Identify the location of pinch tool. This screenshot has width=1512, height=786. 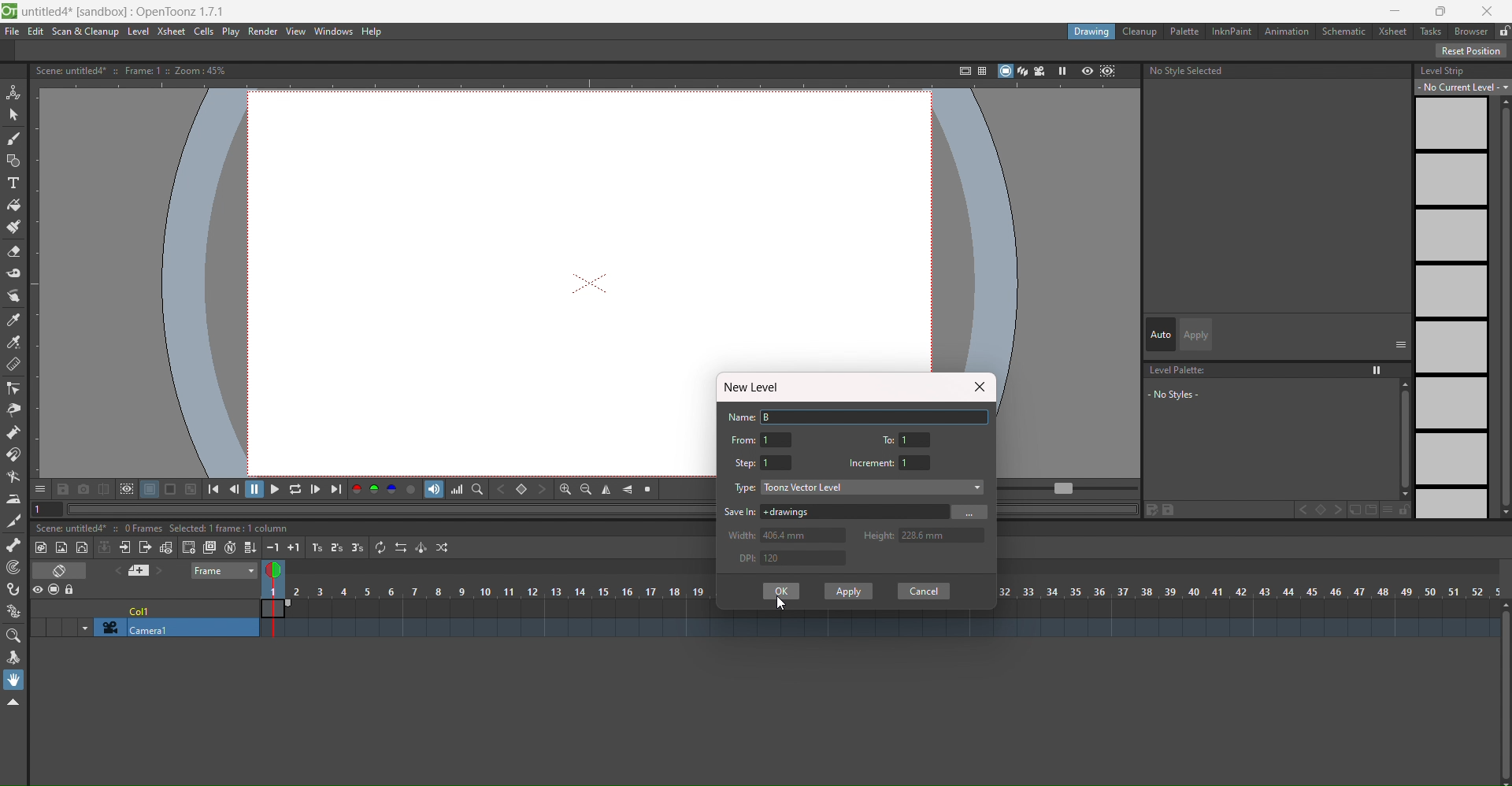
(13, 410).